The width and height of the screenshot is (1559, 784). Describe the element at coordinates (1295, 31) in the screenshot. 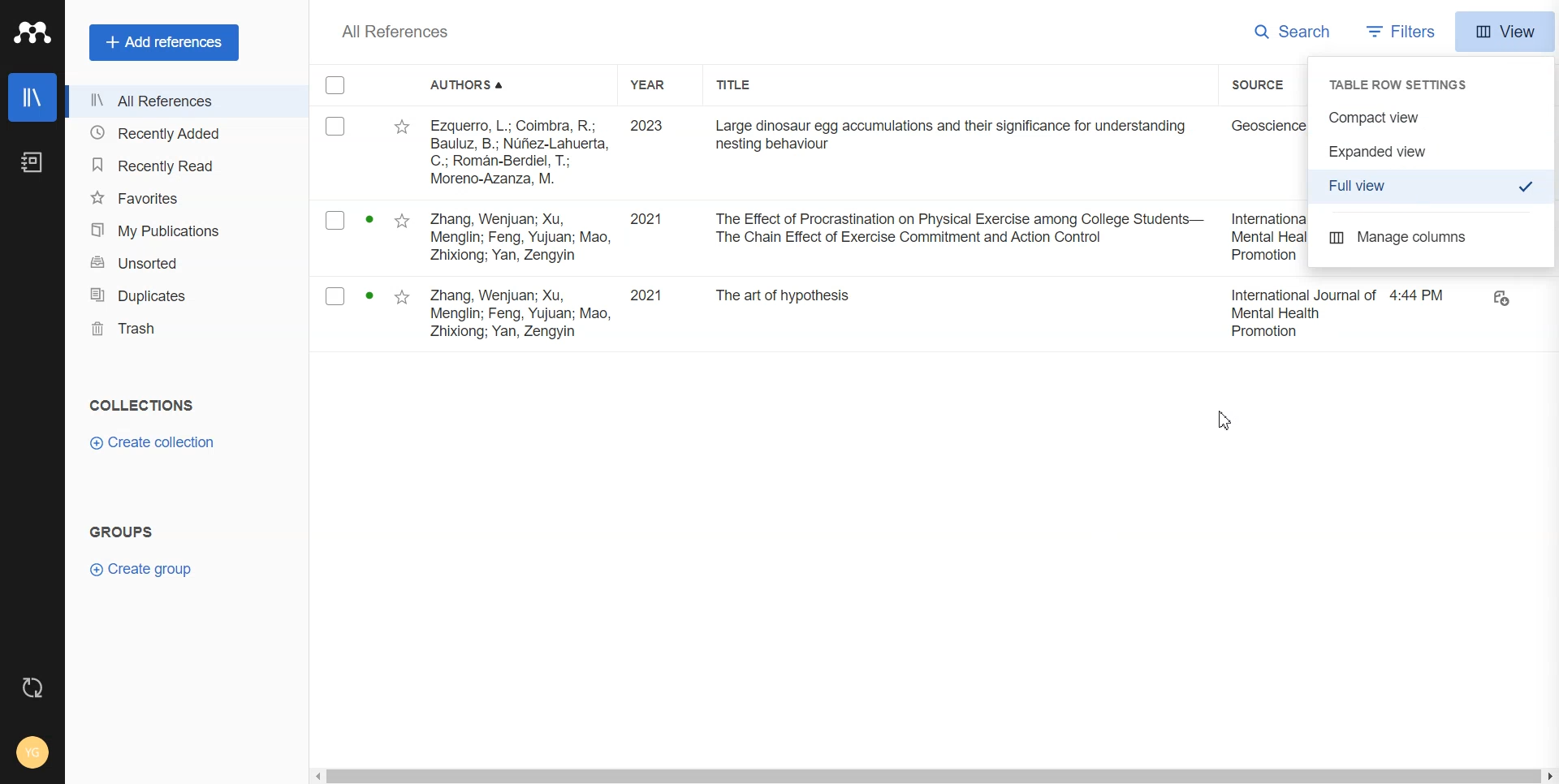

I see `Search` at that location.